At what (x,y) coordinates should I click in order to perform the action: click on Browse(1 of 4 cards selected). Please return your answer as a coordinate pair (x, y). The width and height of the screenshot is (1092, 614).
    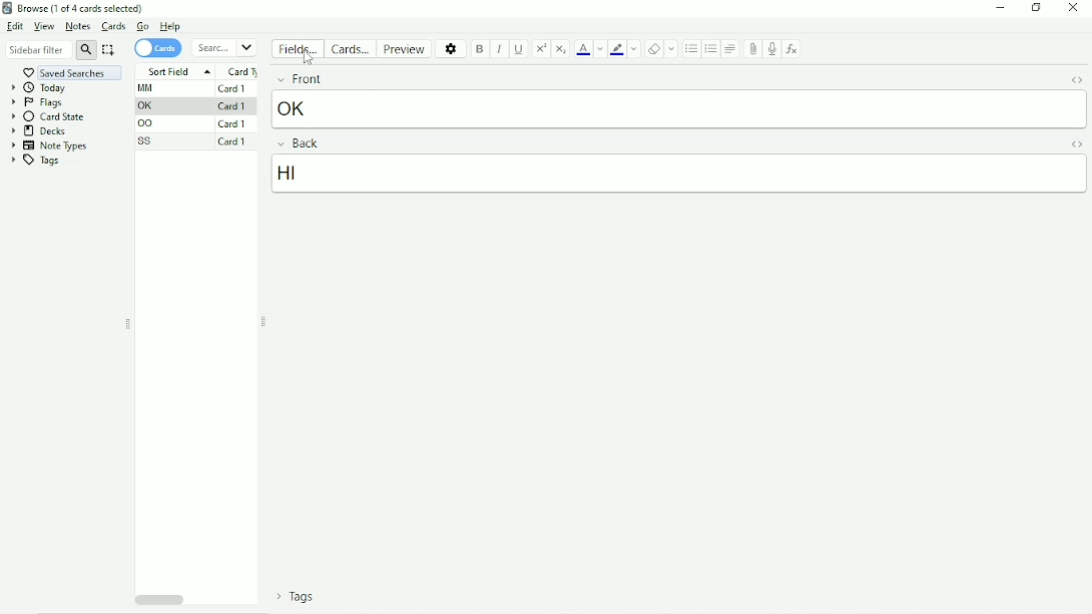
    Looking at the image, I should click on (76, 8).